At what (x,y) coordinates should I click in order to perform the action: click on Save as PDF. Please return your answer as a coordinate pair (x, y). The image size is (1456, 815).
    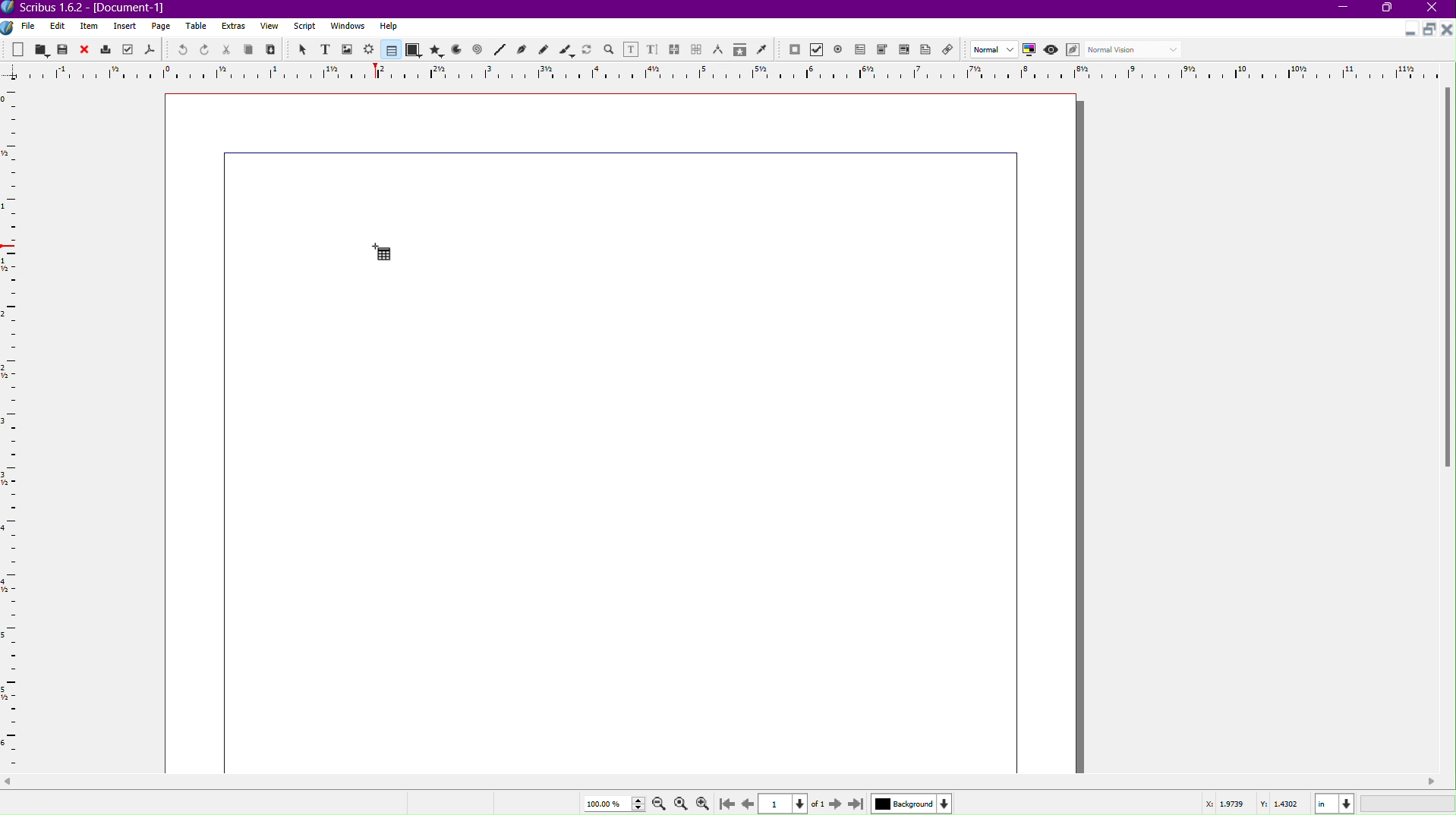
    Looking at the image, I should click on (149, 50).